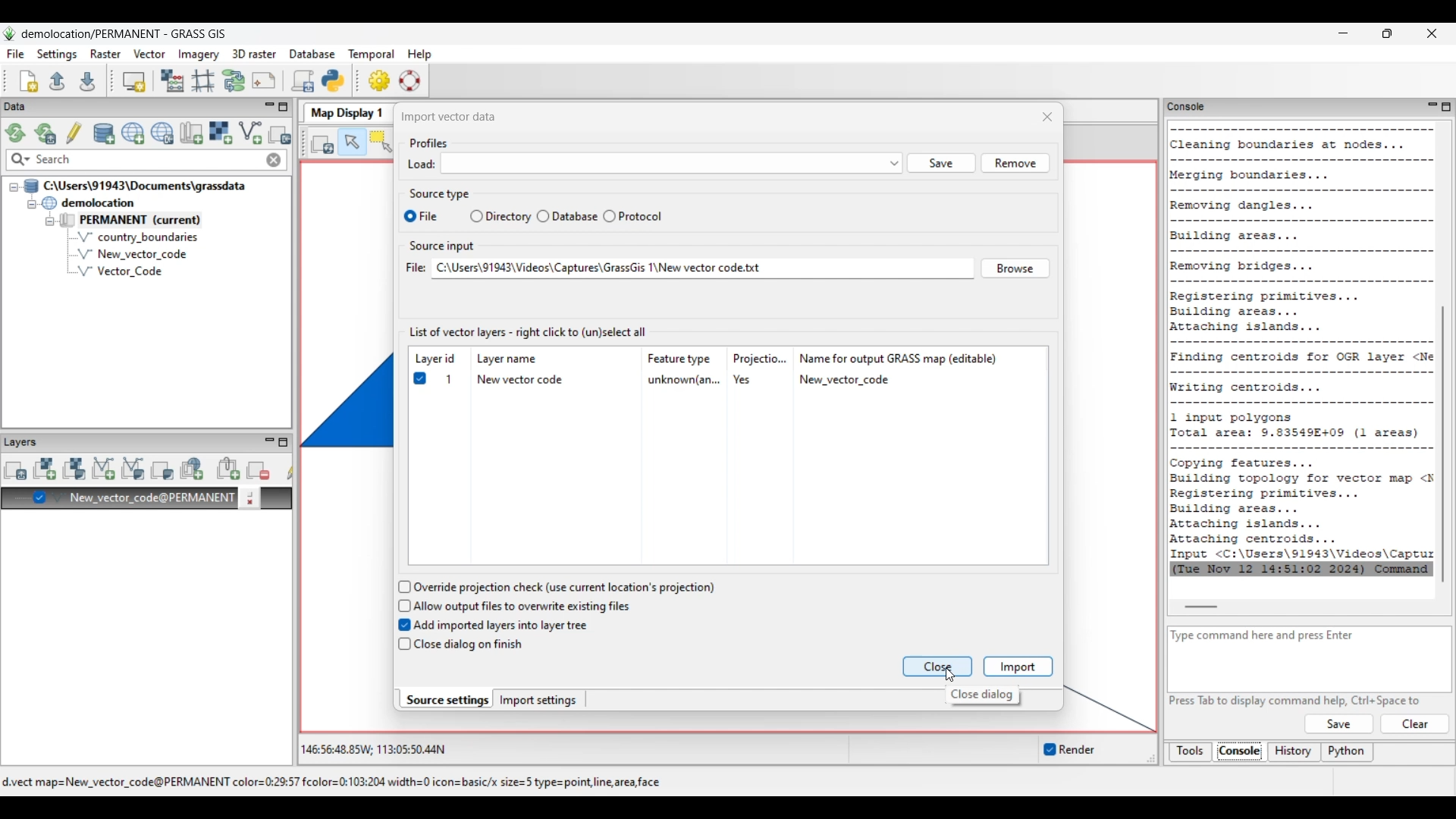  Describe the element at coordinates (352, 143) in the screenshot. I see `Pointer, current highlighted selection` at that location.